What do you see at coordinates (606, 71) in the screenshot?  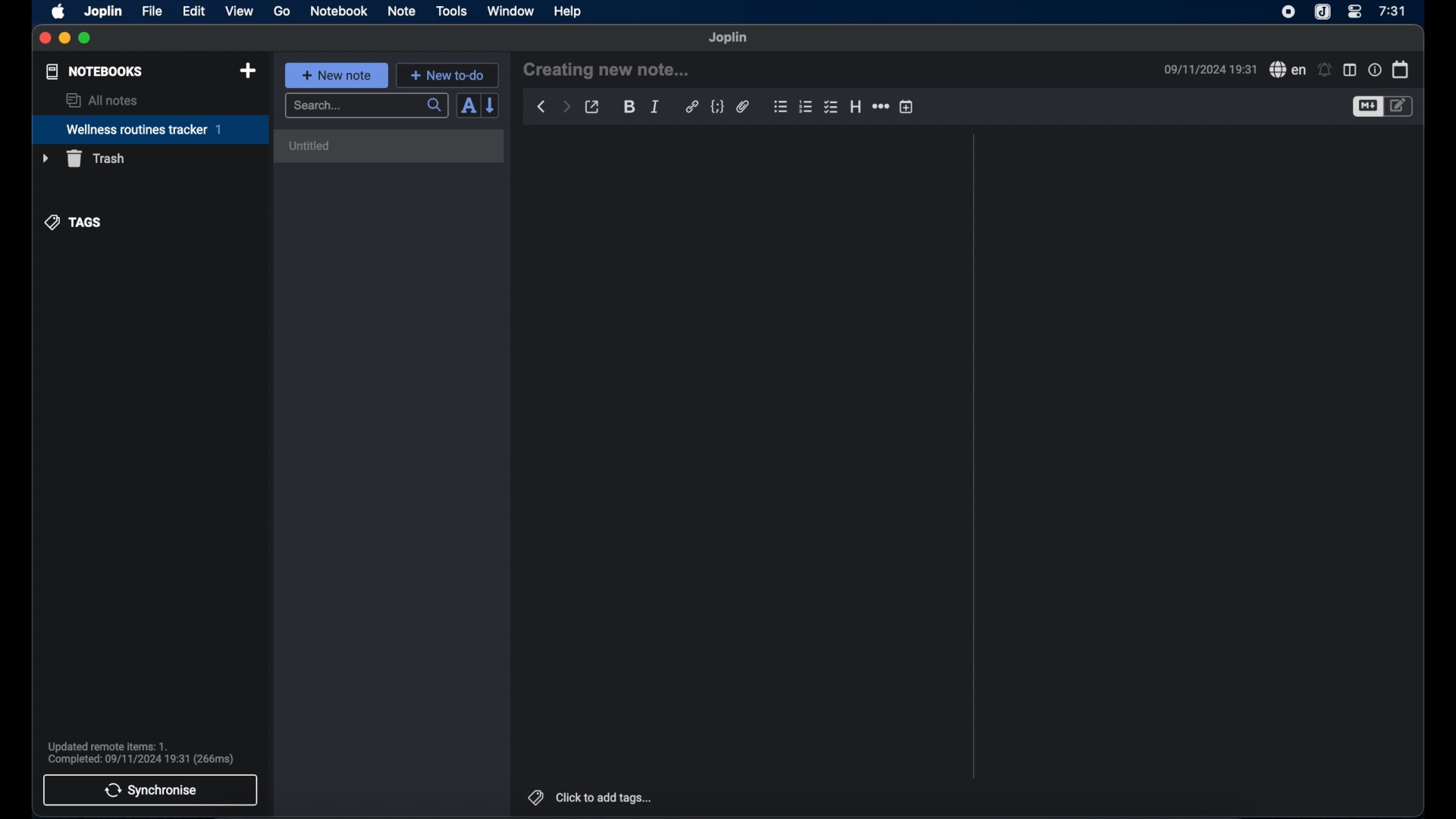 I see `creating new note` at bounding box center [606, 71].